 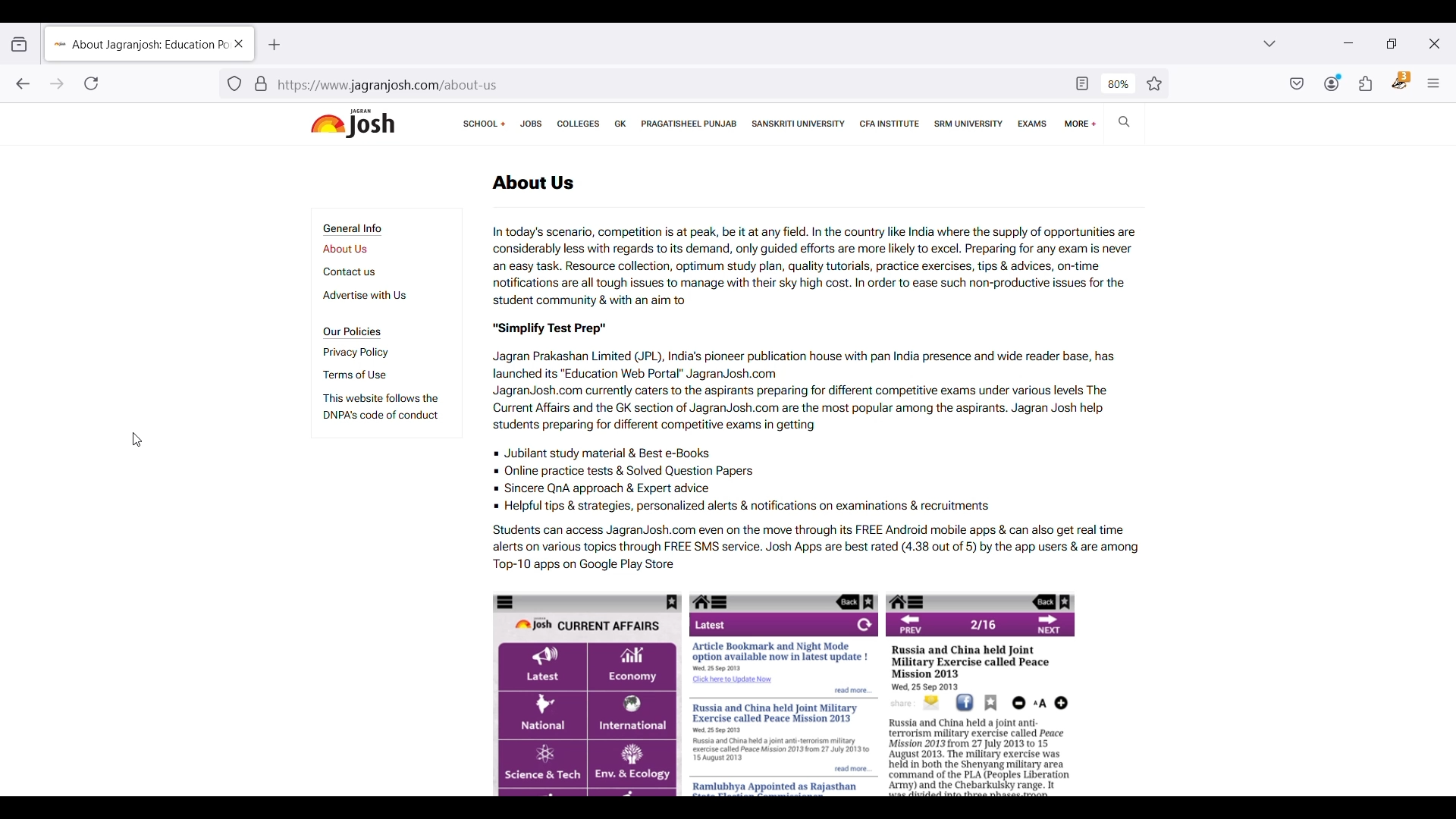 What do you see at coordinates (1366, 83) in the screenshot?
I see `Extensions` at bounding box center [1366, 83].